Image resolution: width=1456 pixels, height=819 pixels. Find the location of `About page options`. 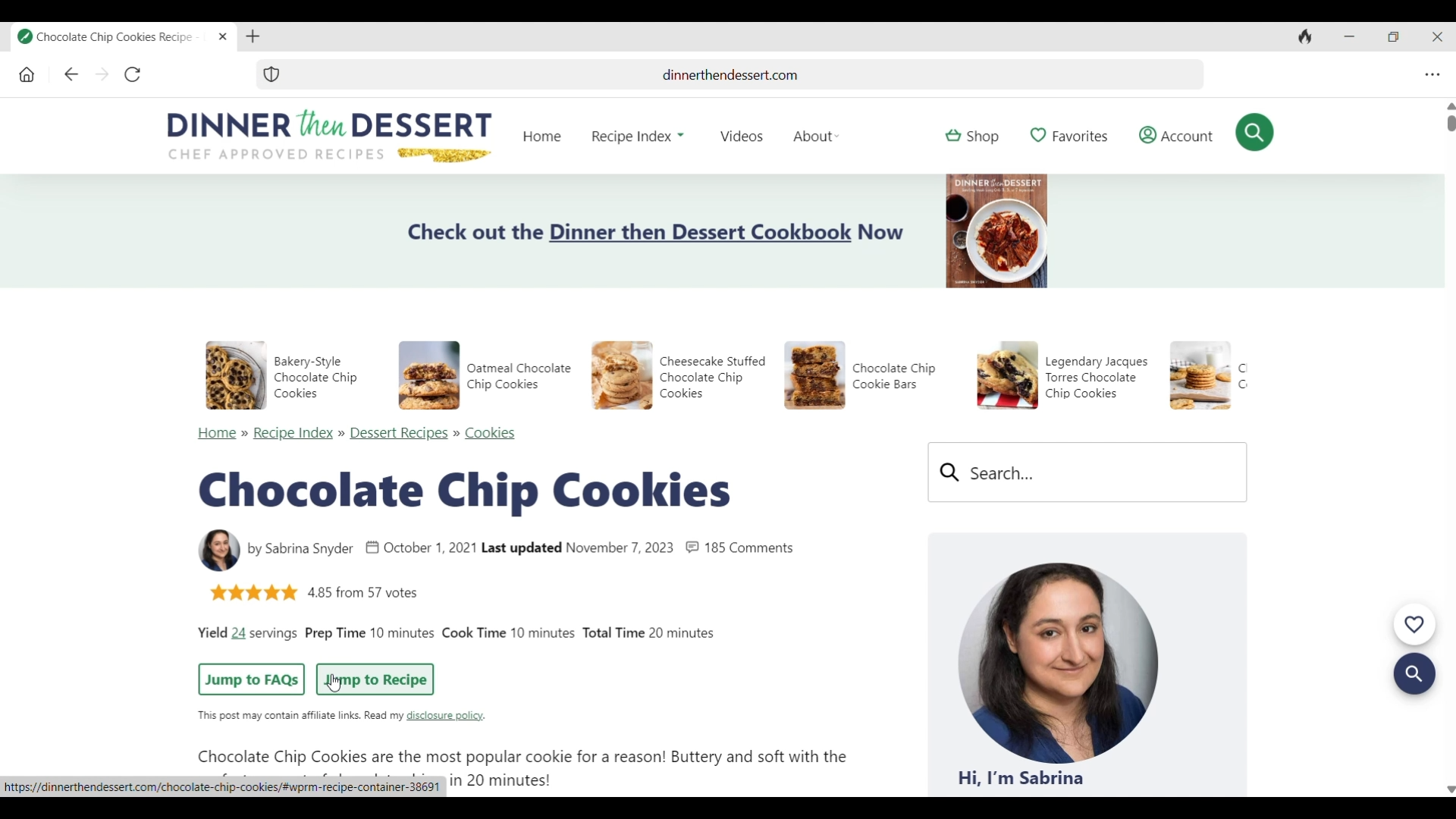

About page options is located at coordinates (817, 136).